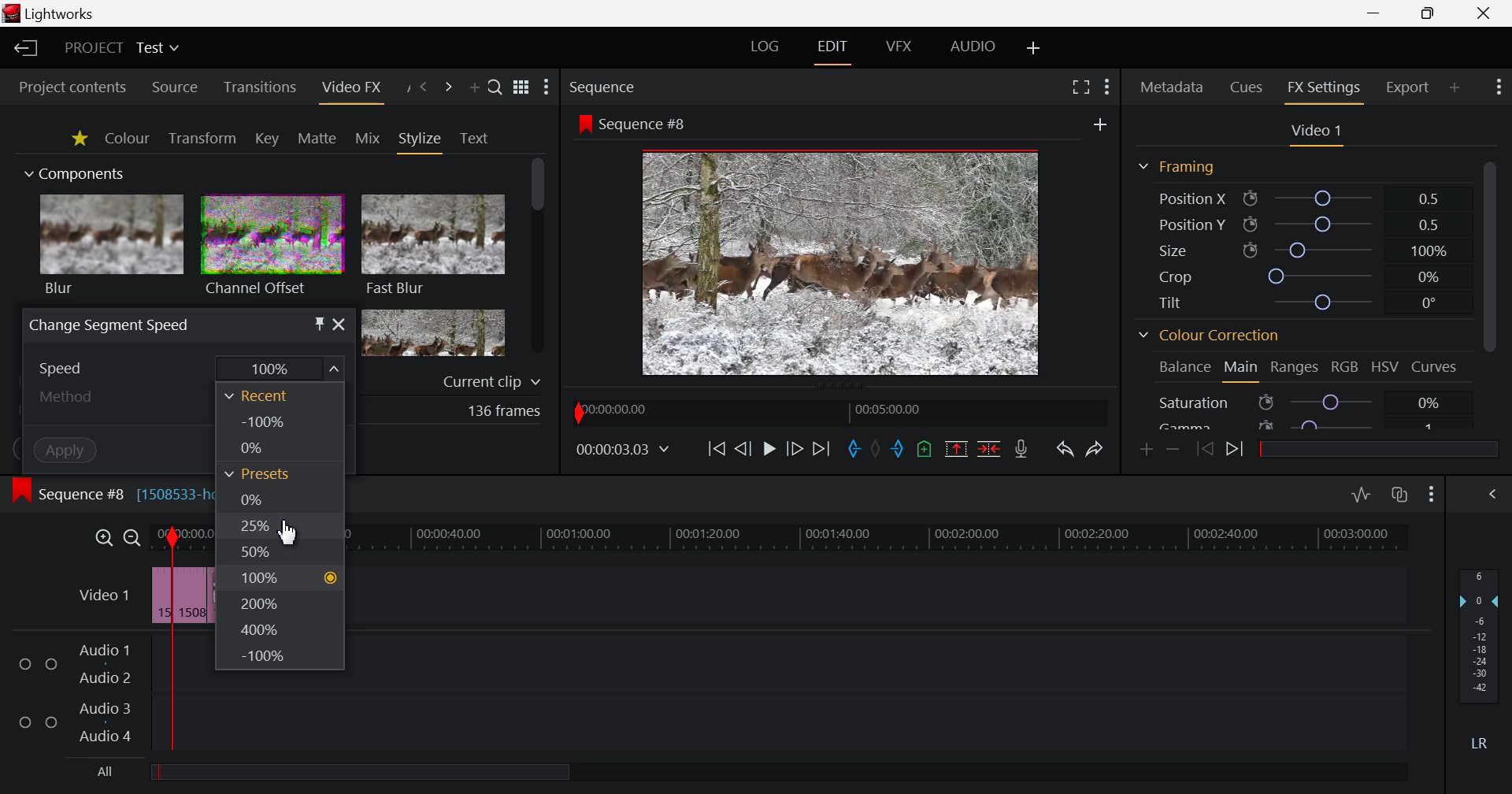 The width and height of the screenshot is (1512, 794). Describe the element at coordinates (1300, 198) in the screenshot. I see `Position X` at that location.